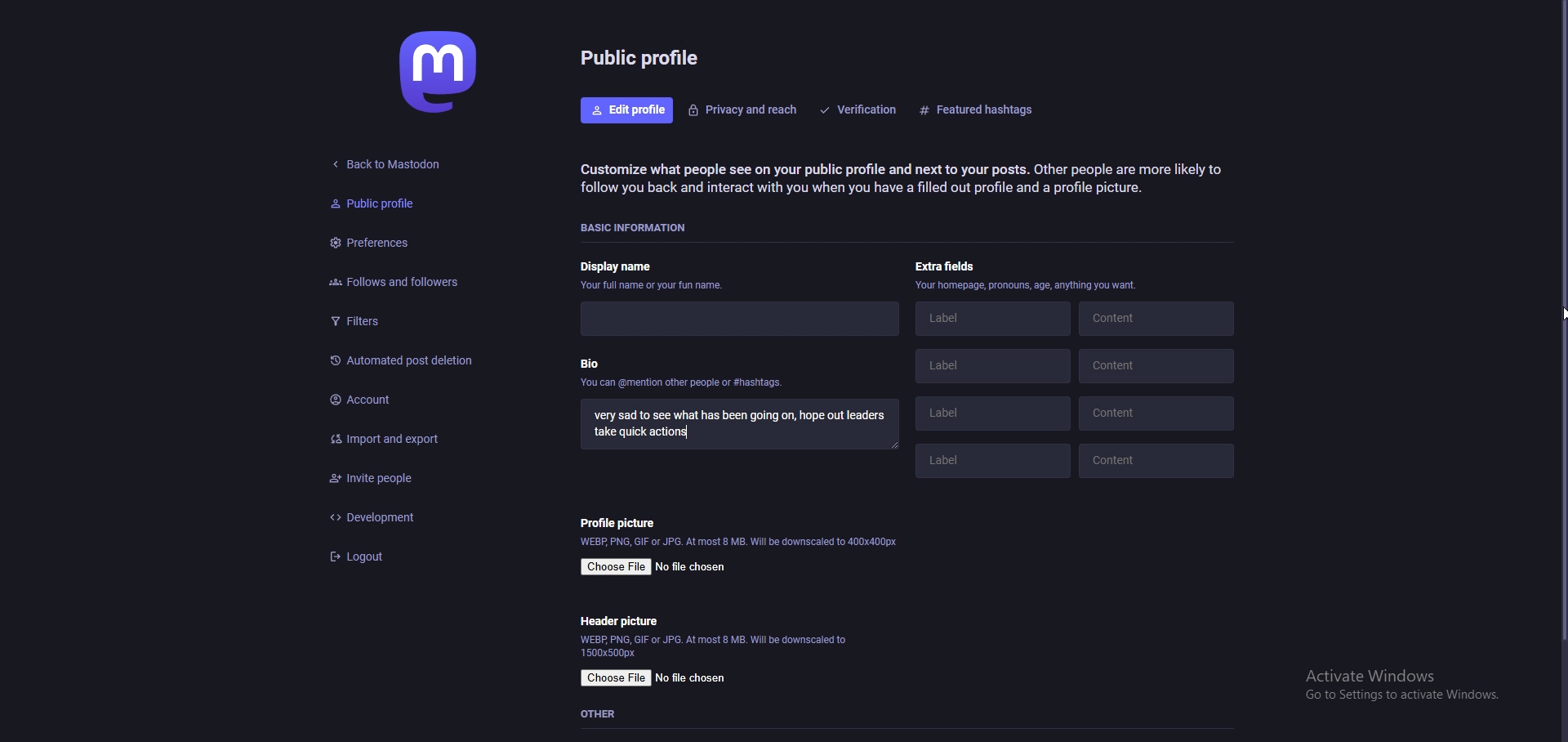 This screenshot has height=742, width=1568. What do you see at coordinates (404, 557) in the screenshot?
I see `logout` at bounding box center [404, 557].